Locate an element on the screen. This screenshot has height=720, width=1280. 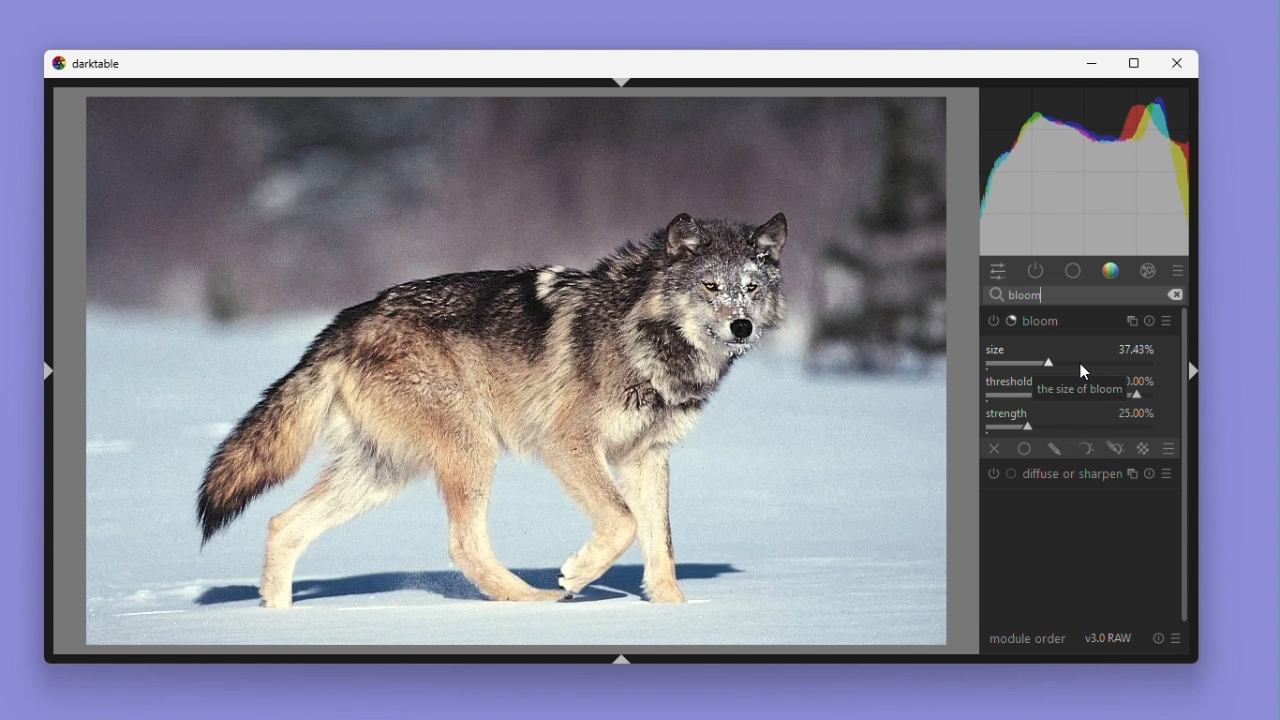
Raster  mask is located at coordinates (1145, 449).